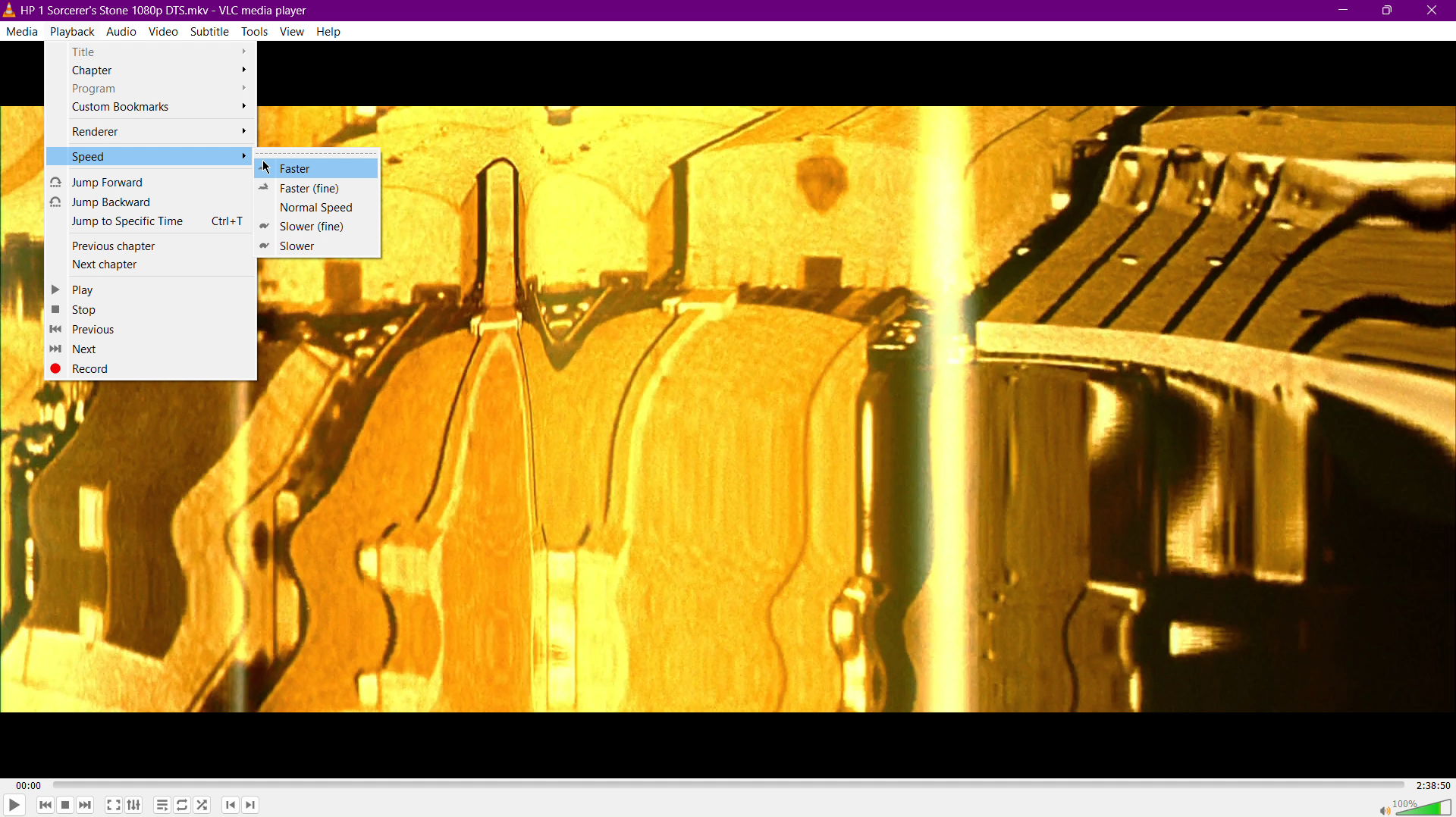 The width and height of the screenshot is (1456, 817). Describe the element at coordinates (149, 156) in the screenshot. I see `Speed` at that location.